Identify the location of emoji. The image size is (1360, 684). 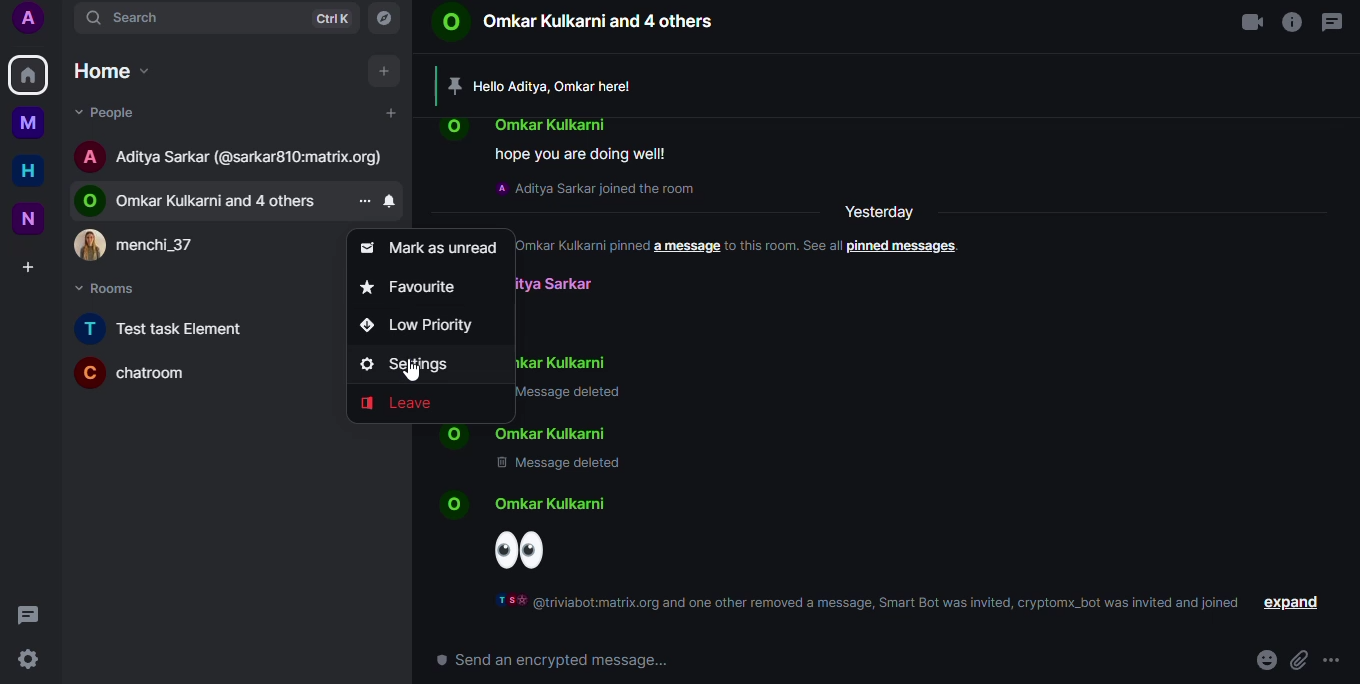
(520, 551).